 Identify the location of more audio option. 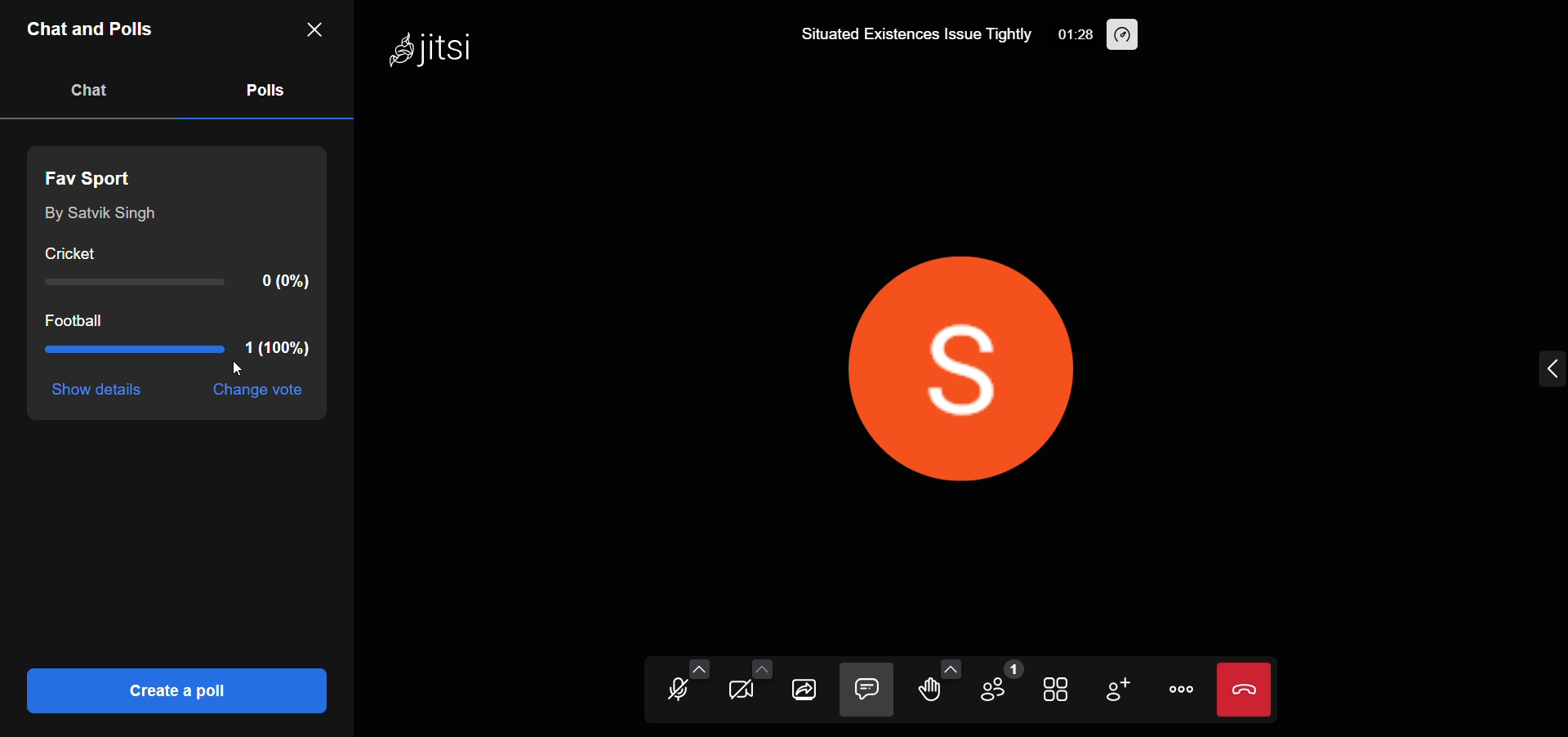
(696, 667).